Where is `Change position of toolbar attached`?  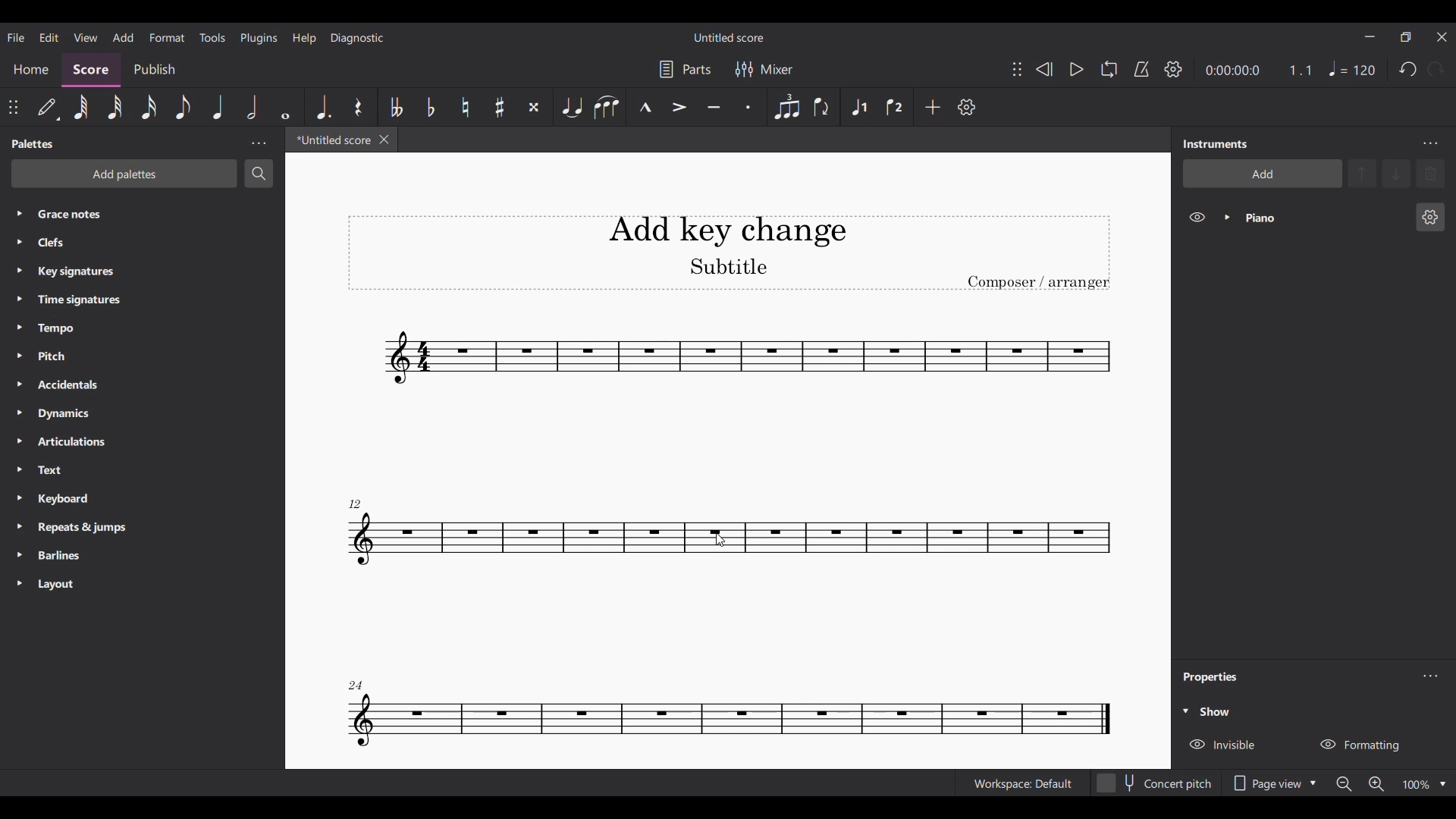 Change position of toolbar attached is located at coordinates (1017, 69).